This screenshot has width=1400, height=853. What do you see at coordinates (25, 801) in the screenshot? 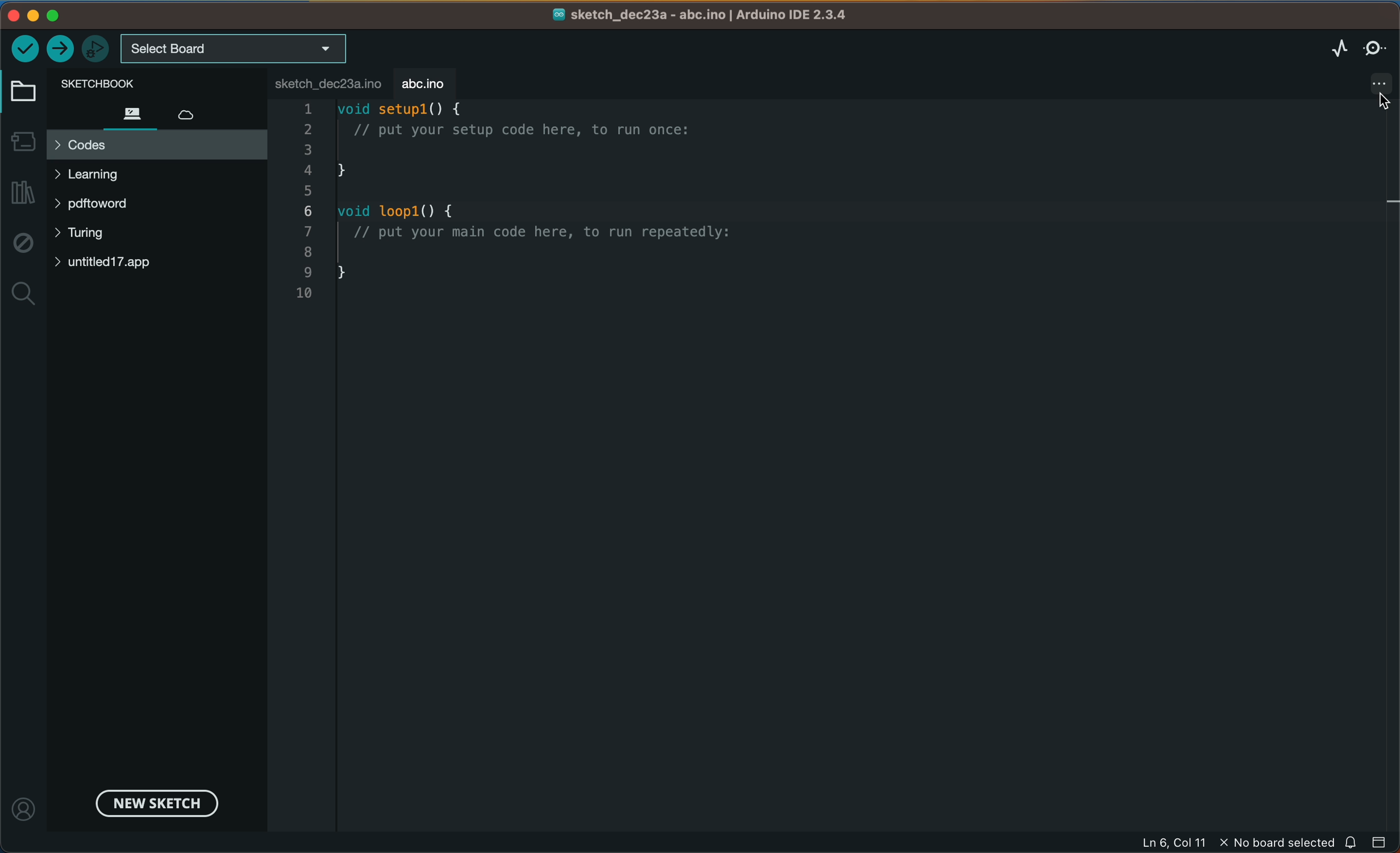
I see `profile` at bounding box center [25, 801].